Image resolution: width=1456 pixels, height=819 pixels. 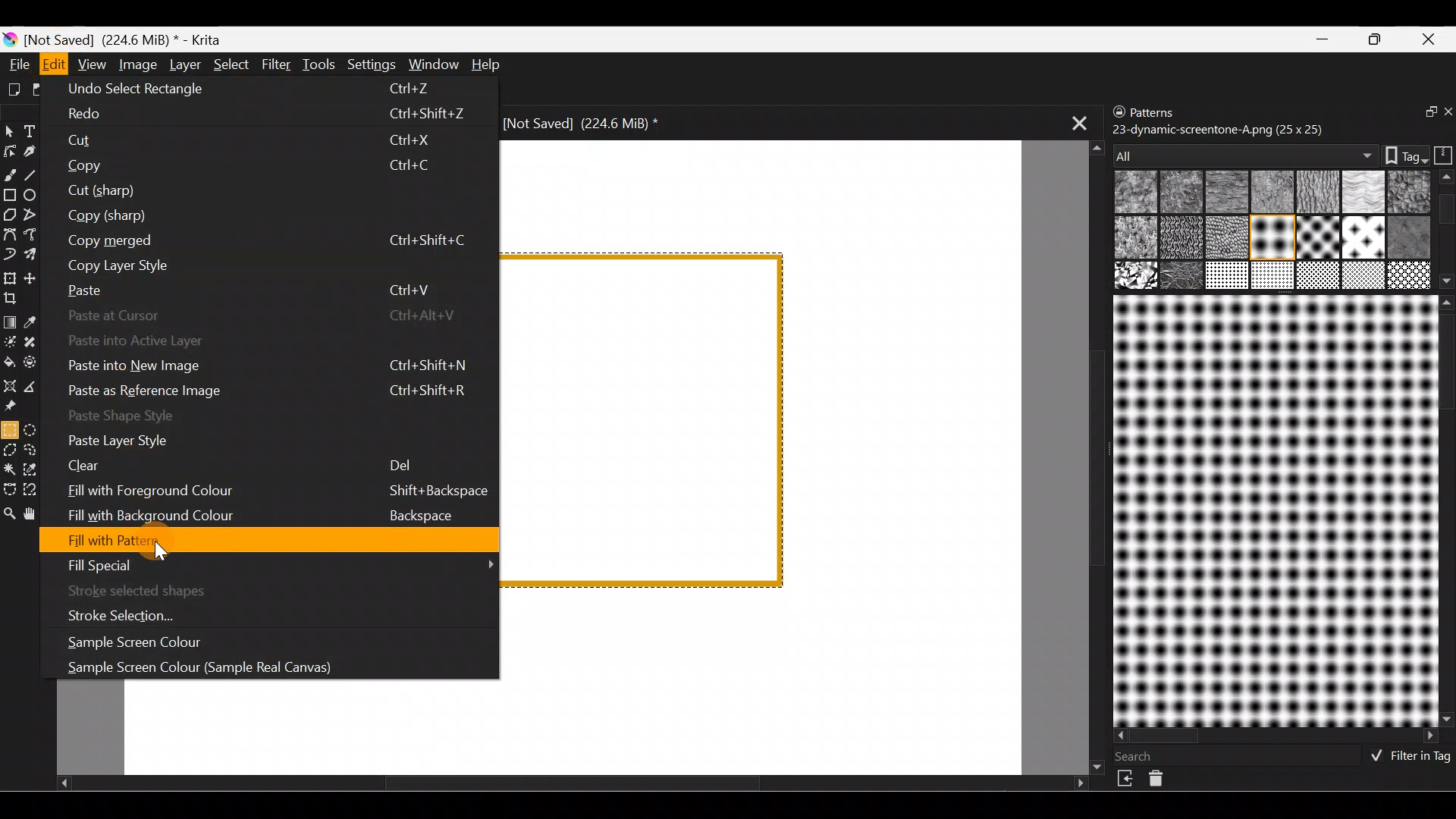 I want to click on Storage resources, so click(x=1441, y=154).